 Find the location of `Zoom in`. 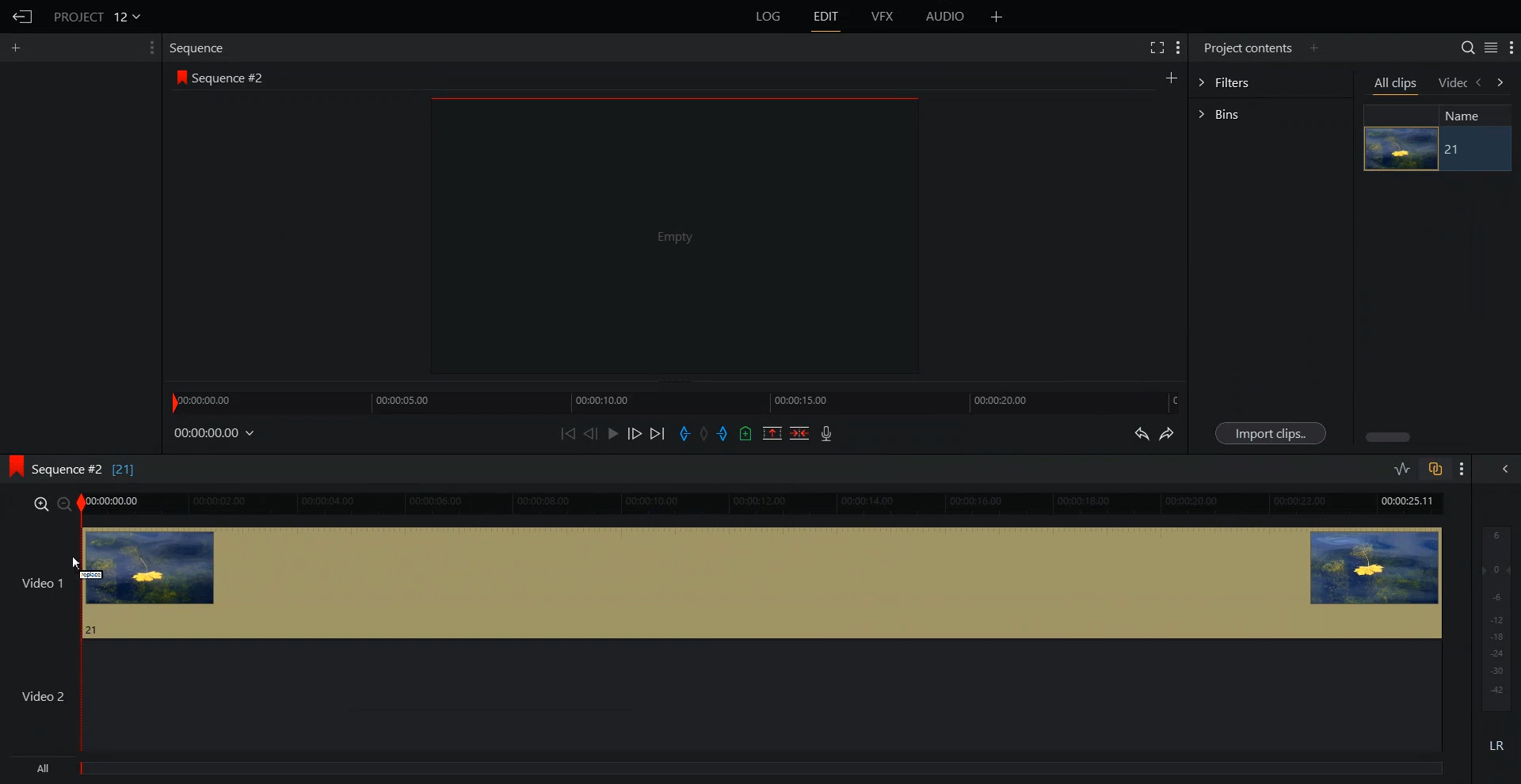

Zoom in is located at coordinates (40, 503).